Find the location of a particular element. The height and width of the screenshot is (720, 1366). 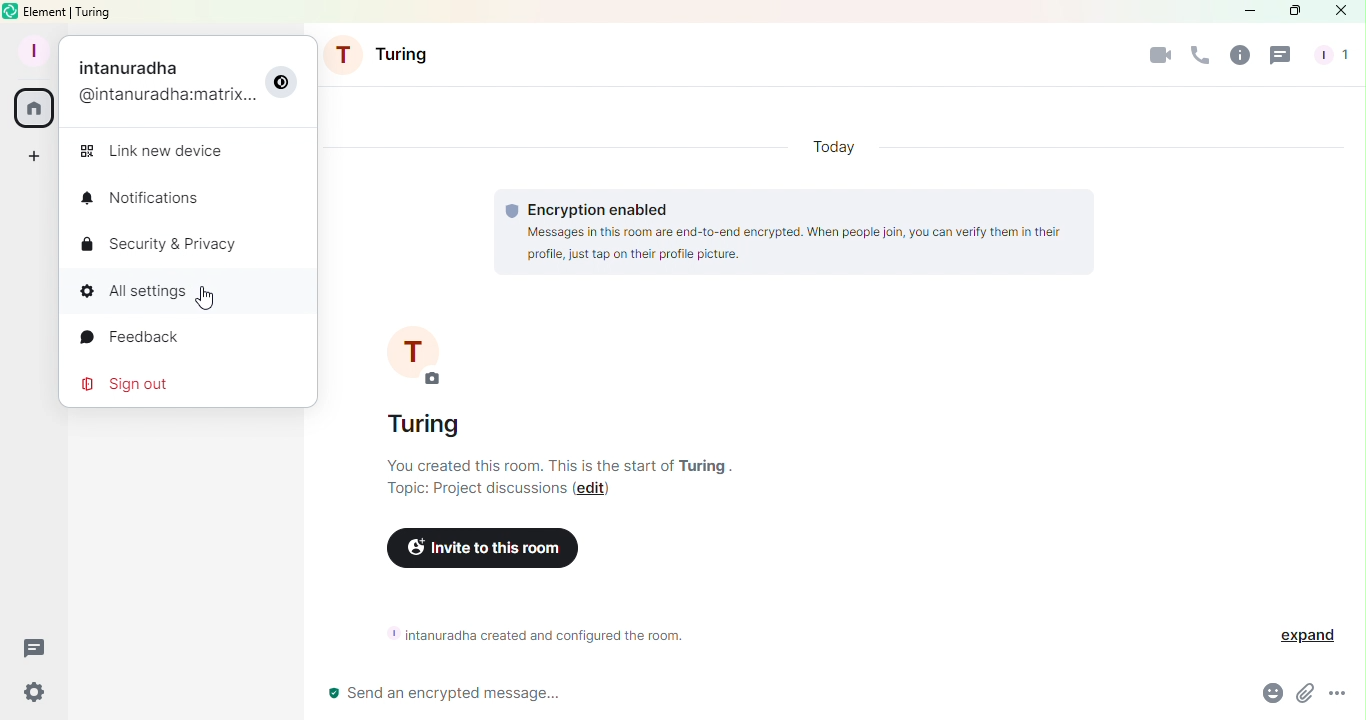

Today is located at coordinates (836, 151).